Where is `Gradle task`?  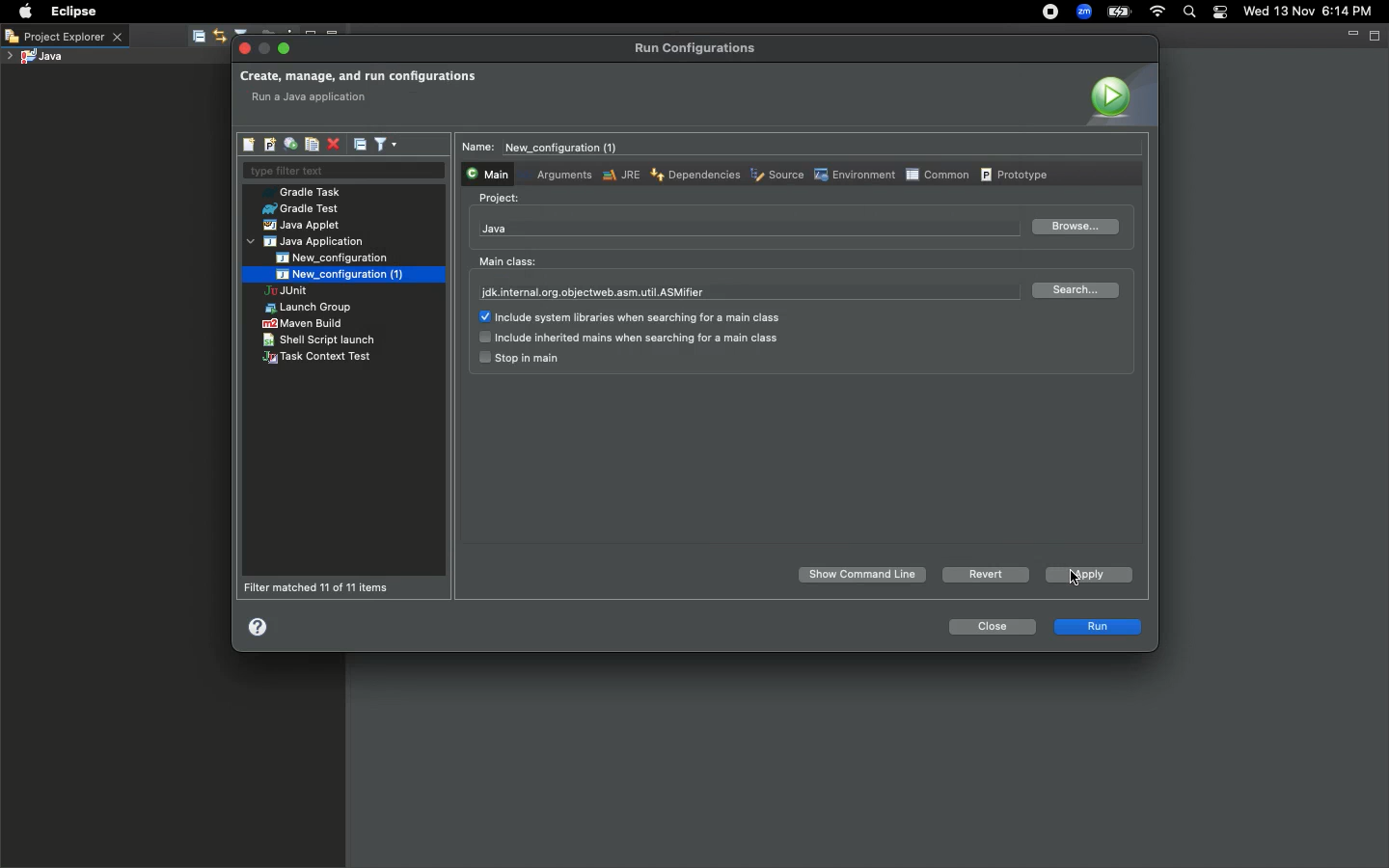 Gradle task is located at coordinates (308, 192).